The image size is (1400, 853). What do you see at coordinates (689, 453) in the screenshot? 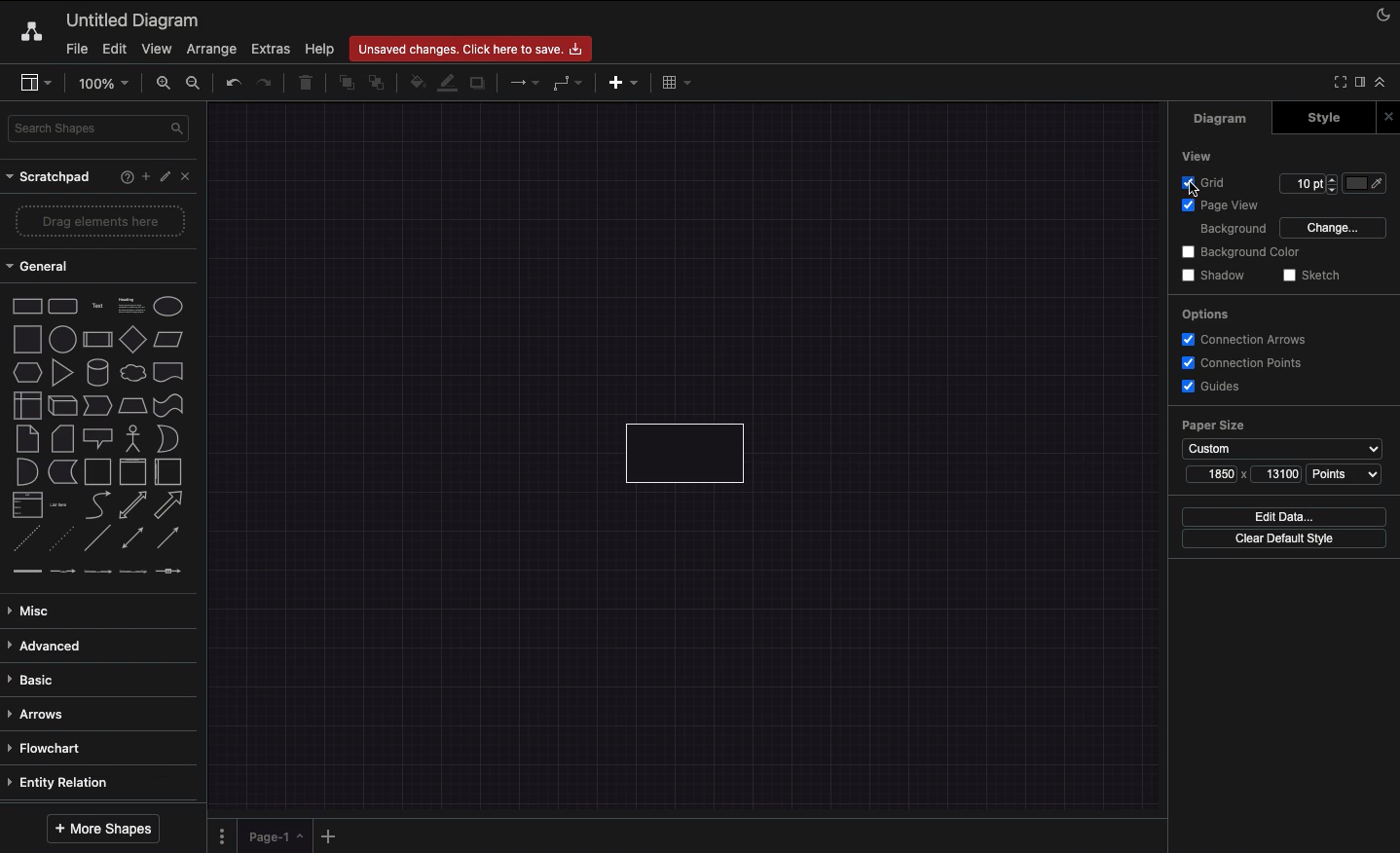
I see `Shape` at bounding box center [689, 453].